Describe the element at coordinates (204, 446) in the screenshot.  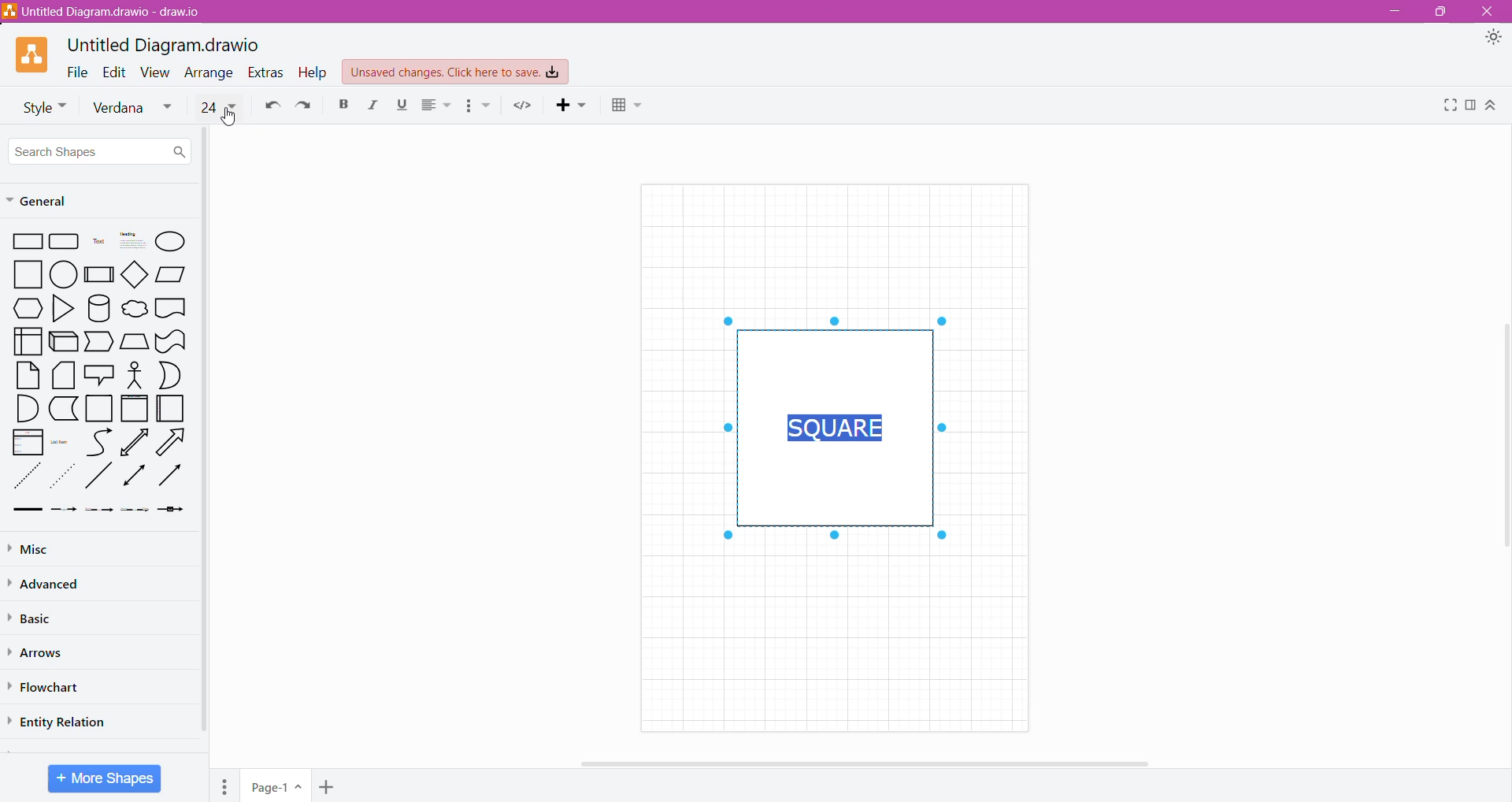
I see `Vertical Scroll Bar` at that location.